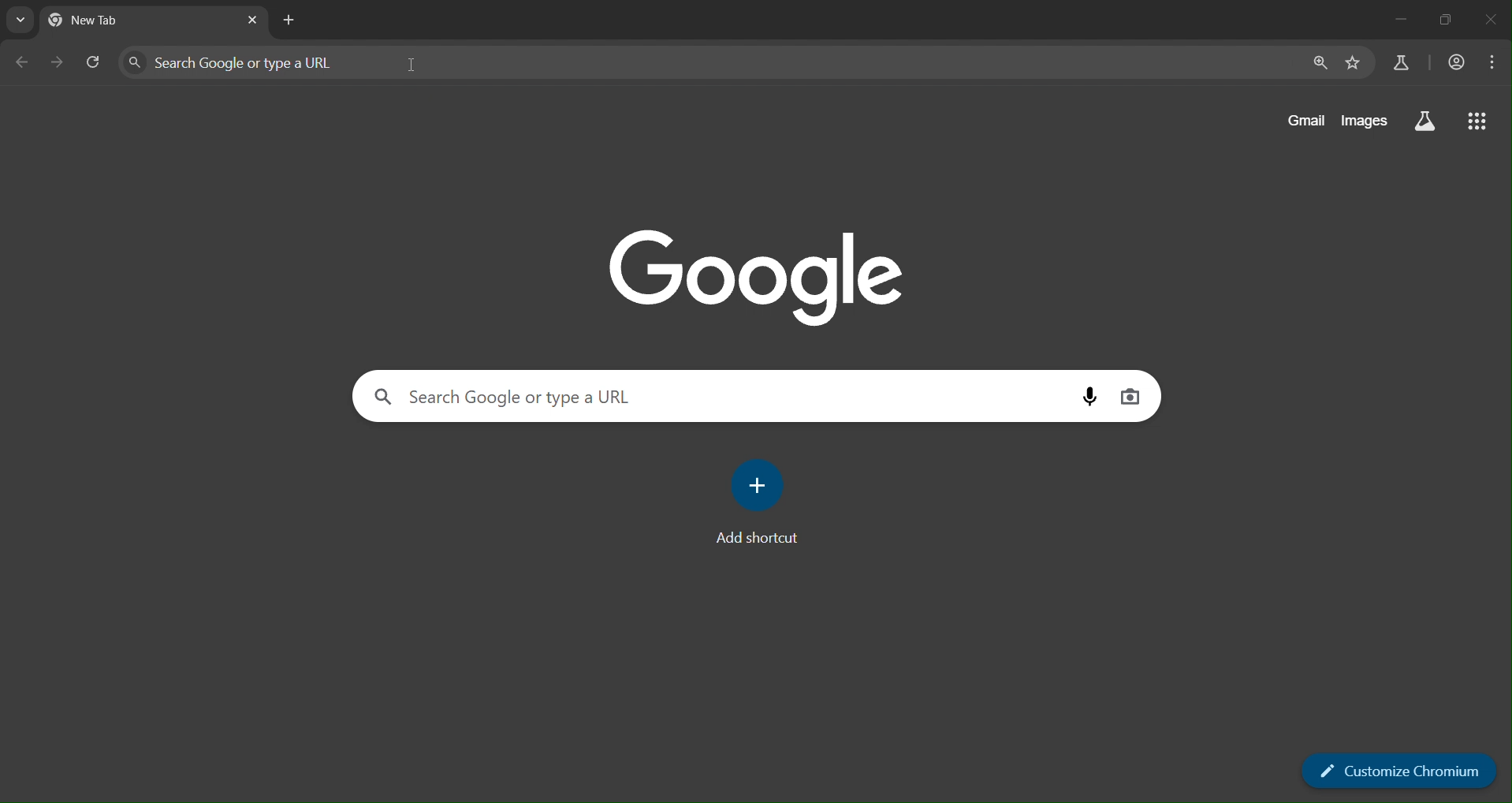  Describe the element at coordinates (1320, 65) in the screenshot. I see `zoom ` at that location.